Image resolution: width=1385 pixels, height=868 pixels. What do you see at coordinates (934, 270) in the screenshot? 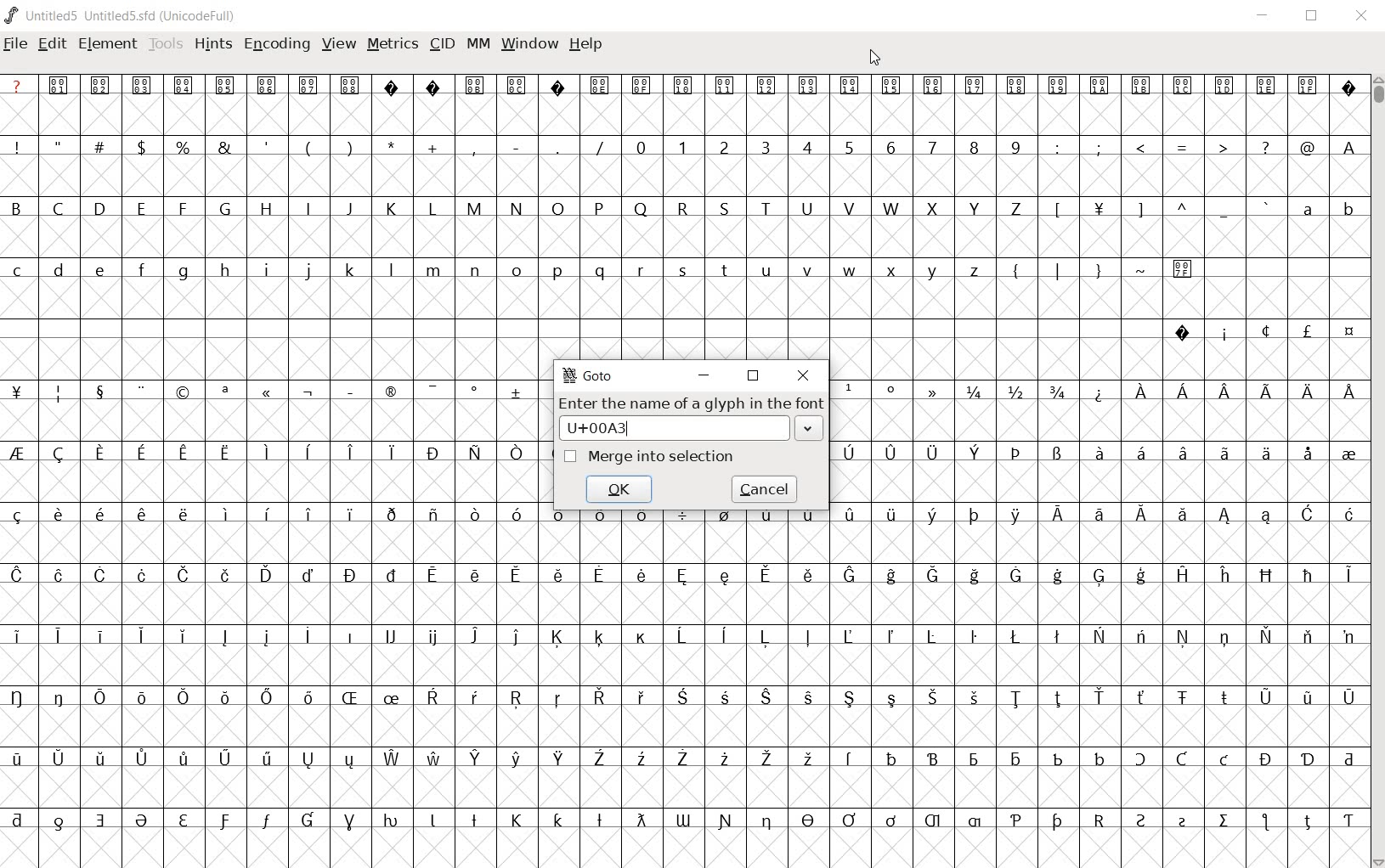
I see `y` at bounding box center [934, 270].